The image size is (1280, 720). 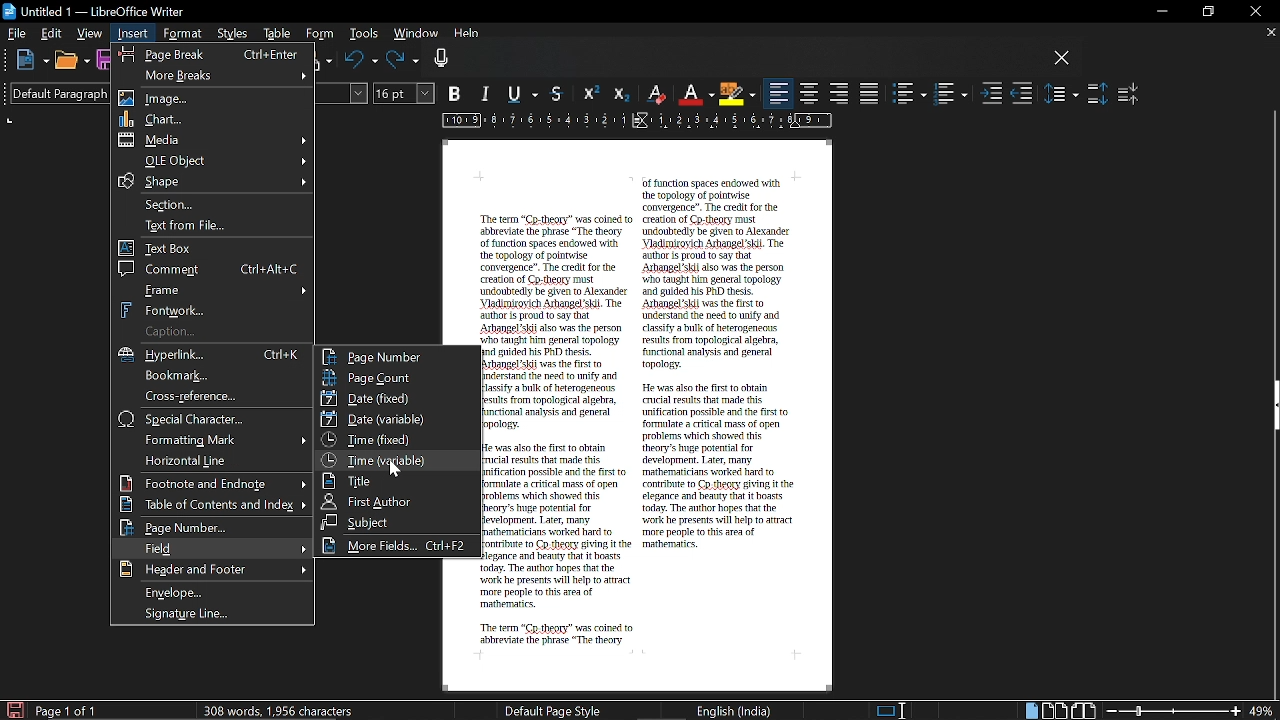 I want to click on Save, so click(x=13, y=709).